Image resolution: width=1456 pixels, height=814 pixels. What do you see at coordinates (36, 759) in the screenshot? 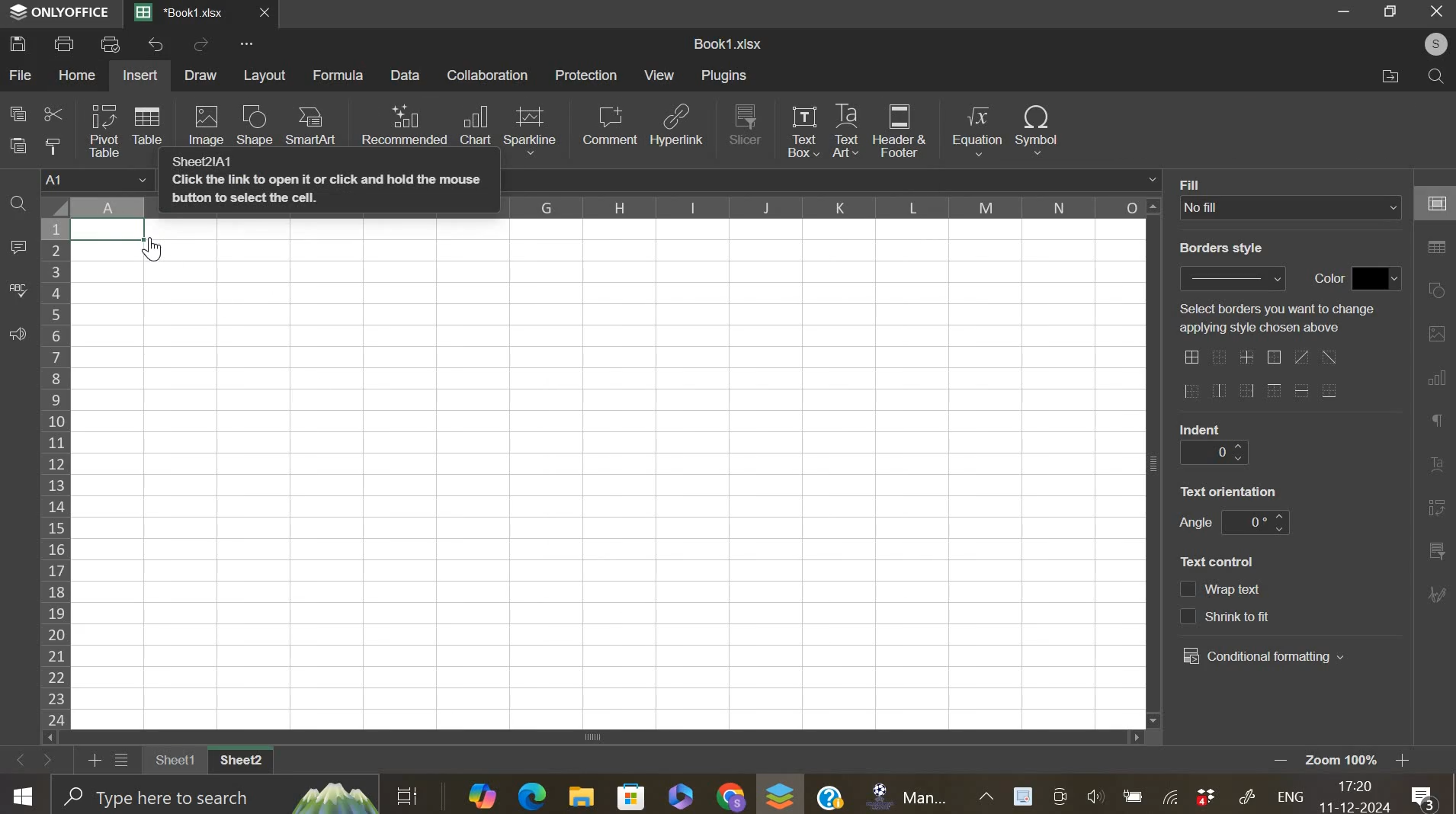
I see `move sheets` at bounding box center [36, 759].